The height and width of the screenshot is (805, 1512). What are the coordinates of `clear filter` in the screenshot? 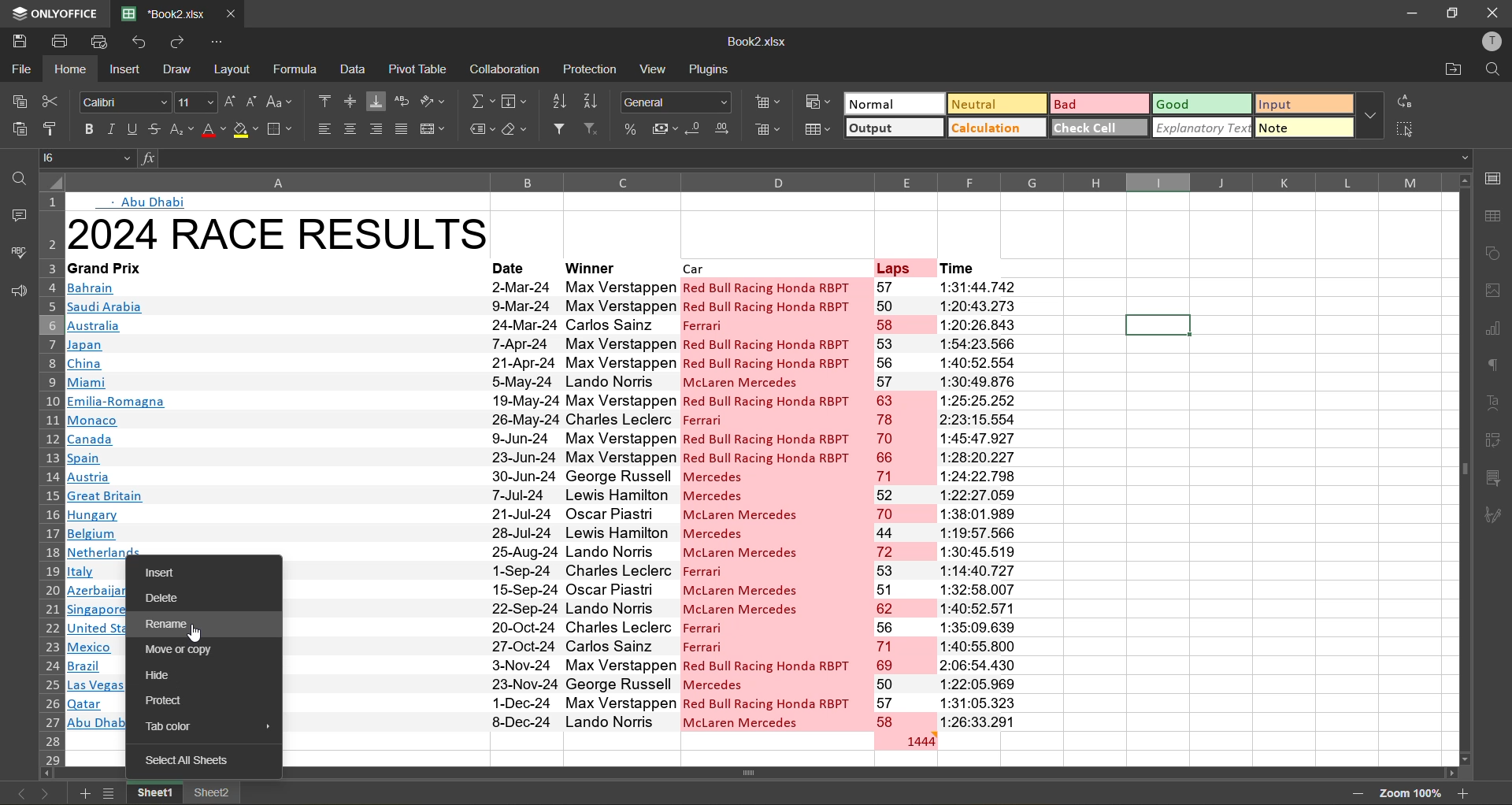 It's located at (592, 130).